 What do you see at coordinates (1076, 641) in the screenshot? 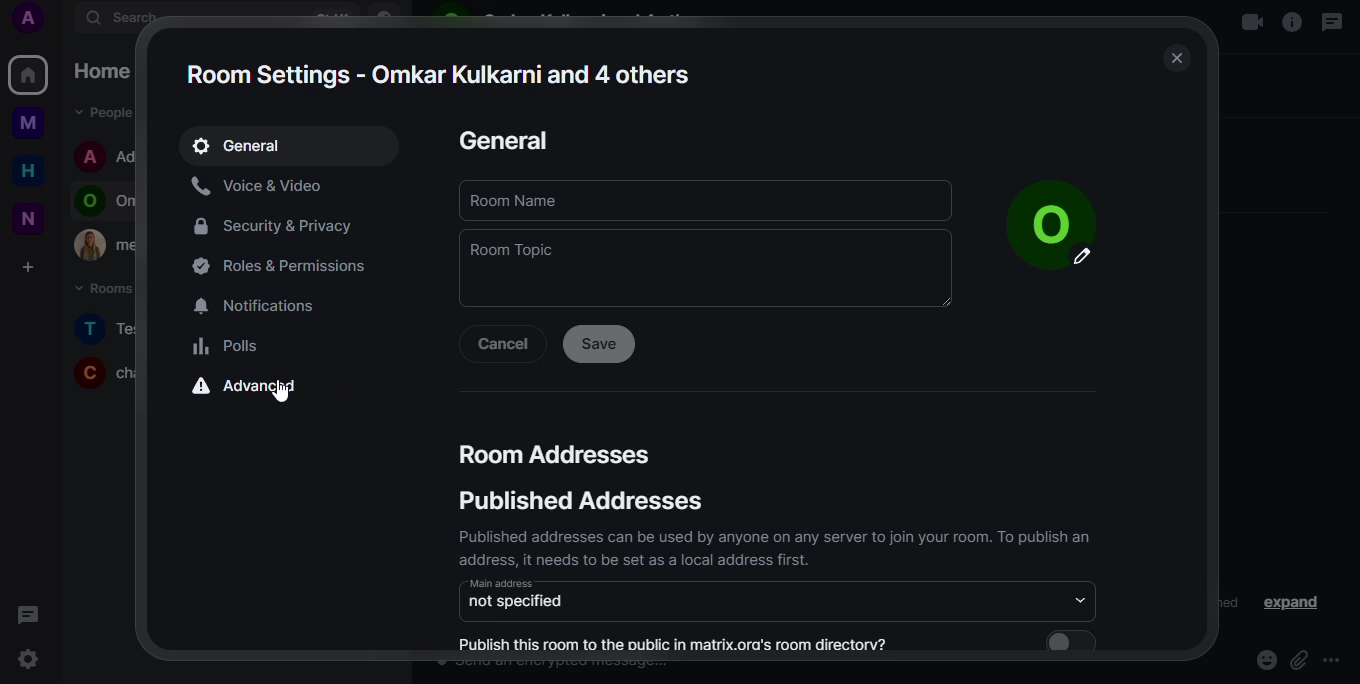
I see `click to enable` at bounding box center [1076, 641].